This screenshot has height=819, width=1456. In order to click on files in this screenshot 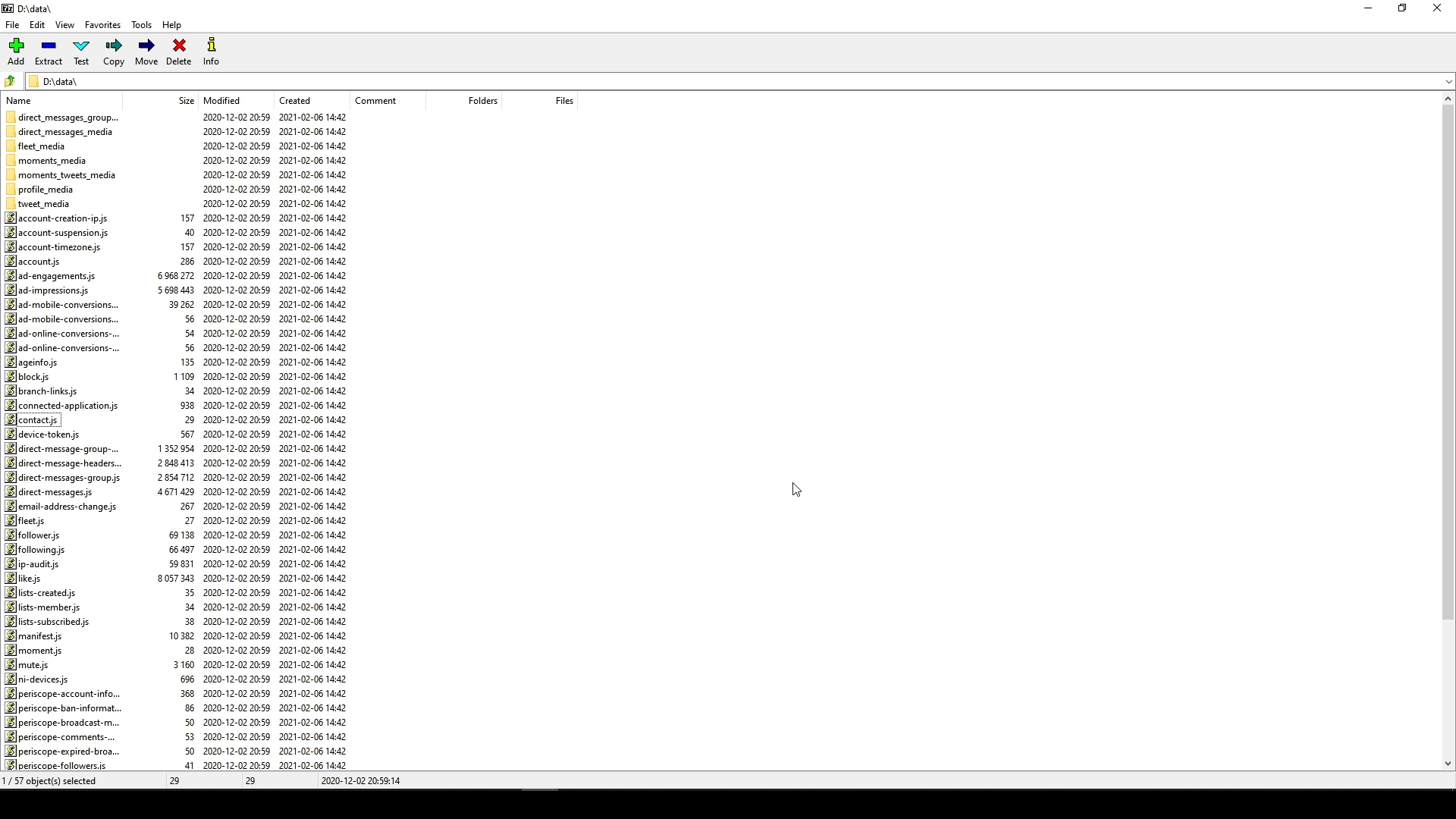, I will do `click(554, 99)`.